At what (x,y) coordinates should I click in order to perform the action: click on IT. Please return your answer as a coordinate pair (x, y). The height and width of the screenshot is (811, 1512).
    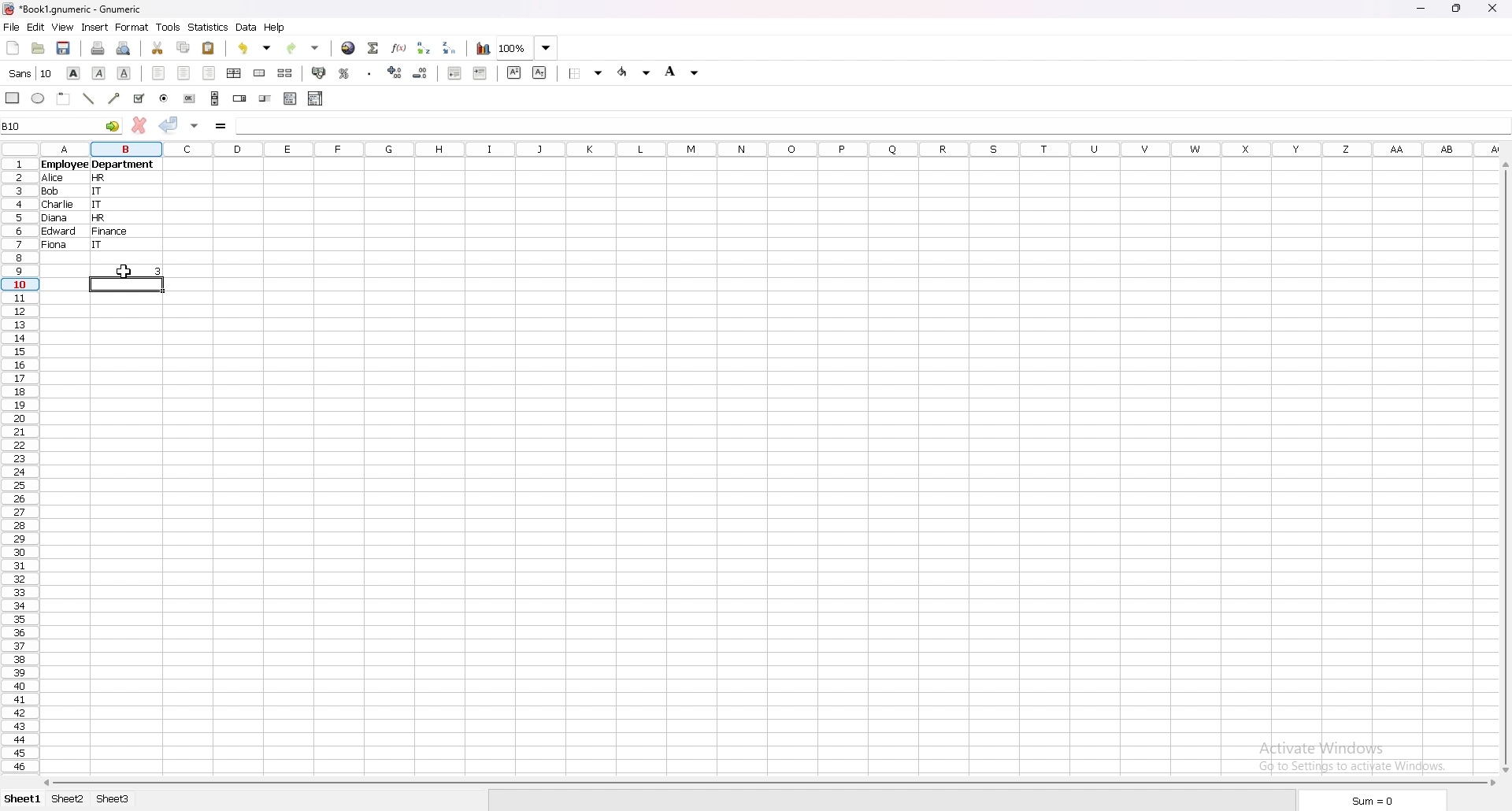
    Looking at the image, I should click on (99, 191).